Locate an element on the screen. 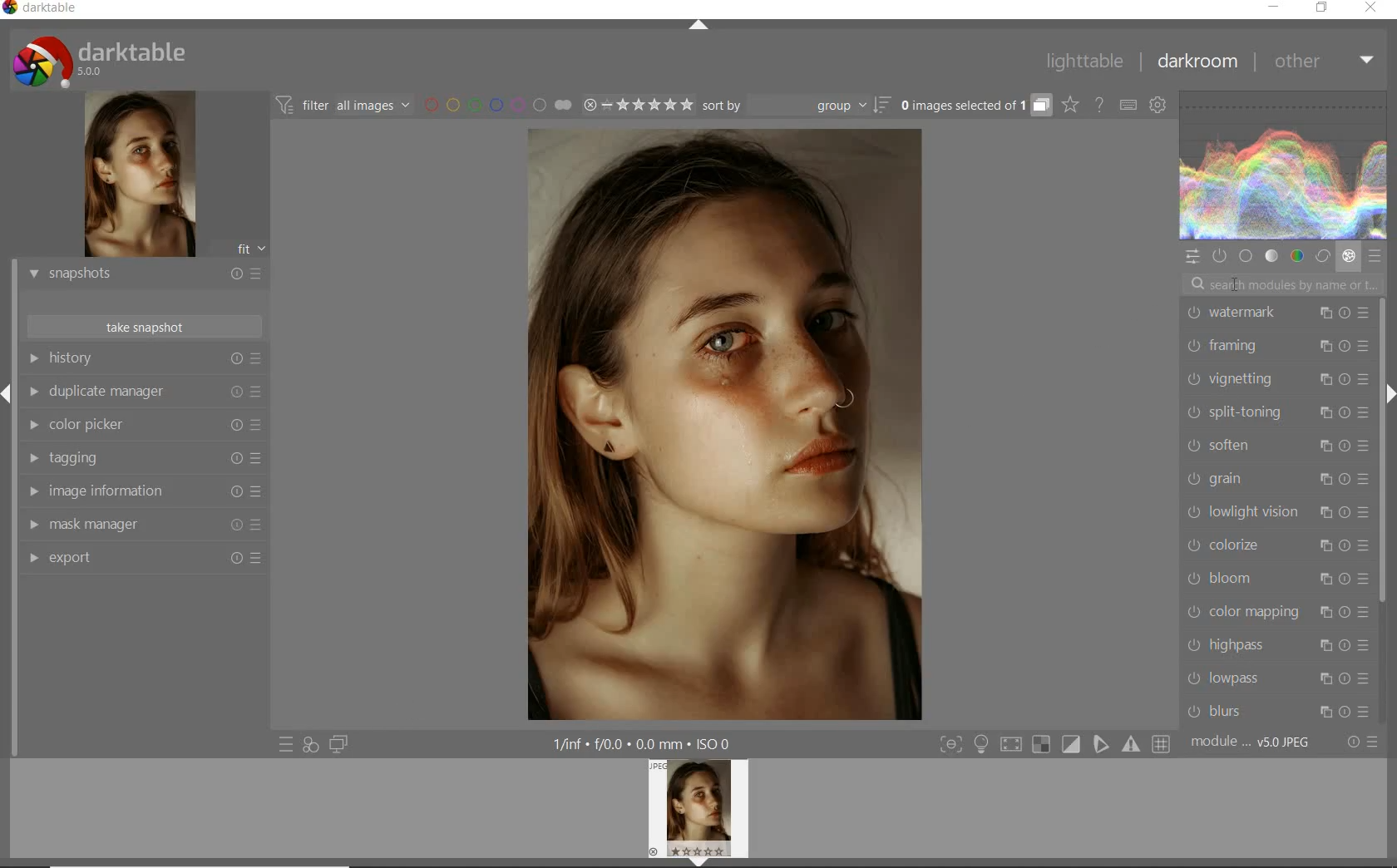  duplicate manager is located at coordinates (144, 394).